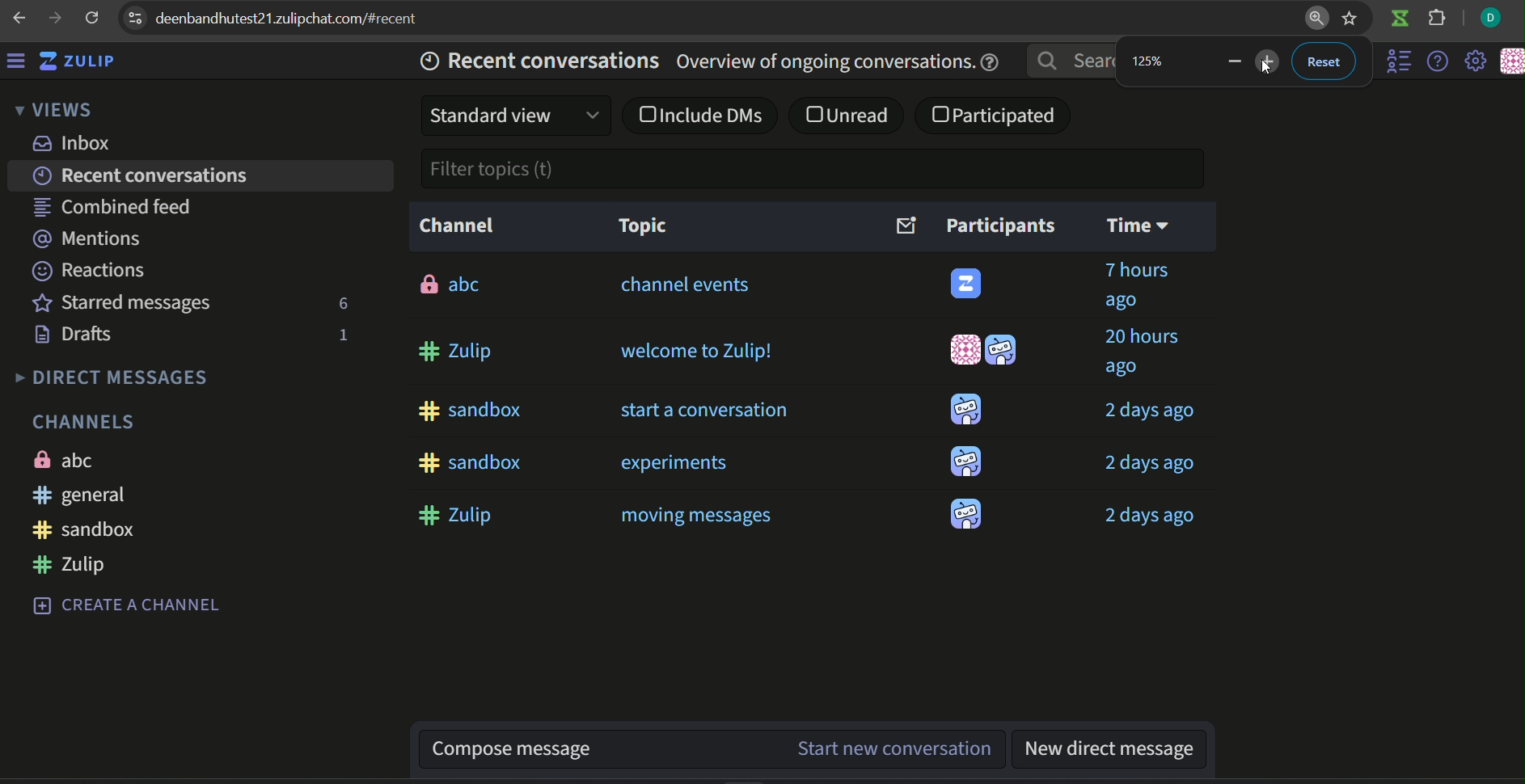 The image size is (1525, 784). What do you see at coordinates (92, 19) in the screenshot?
I see `refresh` at bounding box center [92, 19].